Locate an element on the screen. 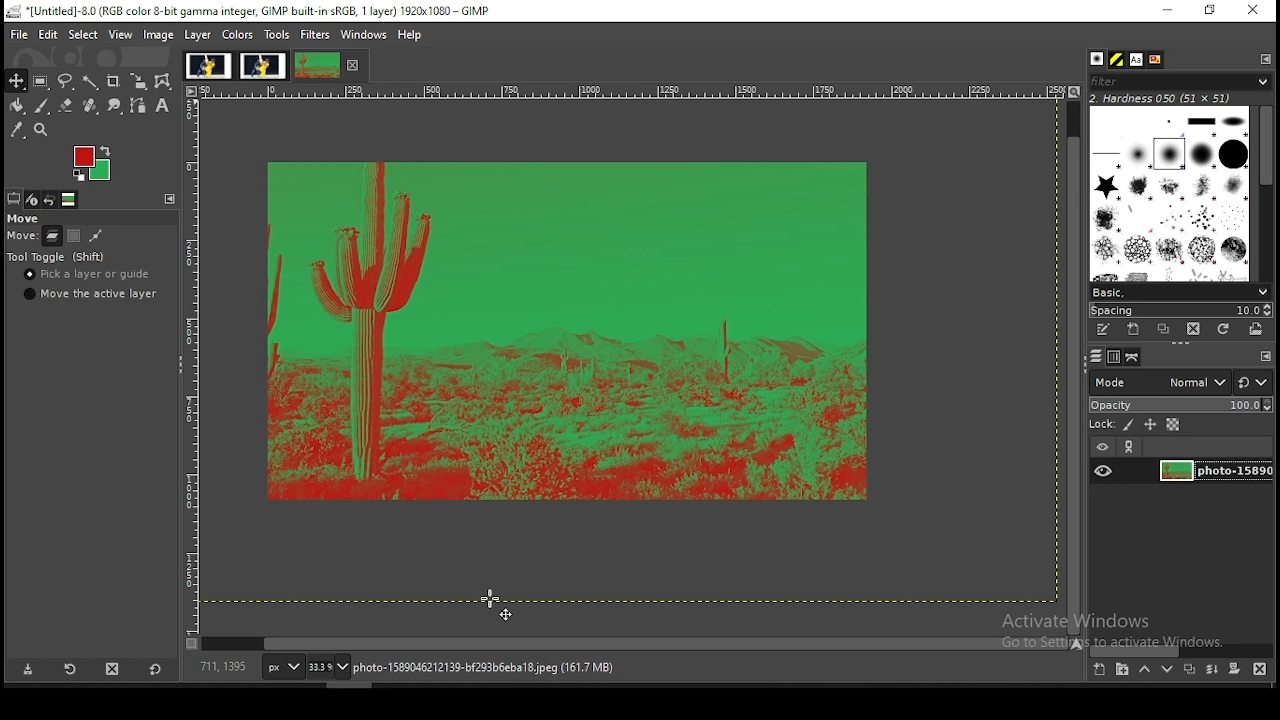  crop tool is located at coordinates (114, 80).